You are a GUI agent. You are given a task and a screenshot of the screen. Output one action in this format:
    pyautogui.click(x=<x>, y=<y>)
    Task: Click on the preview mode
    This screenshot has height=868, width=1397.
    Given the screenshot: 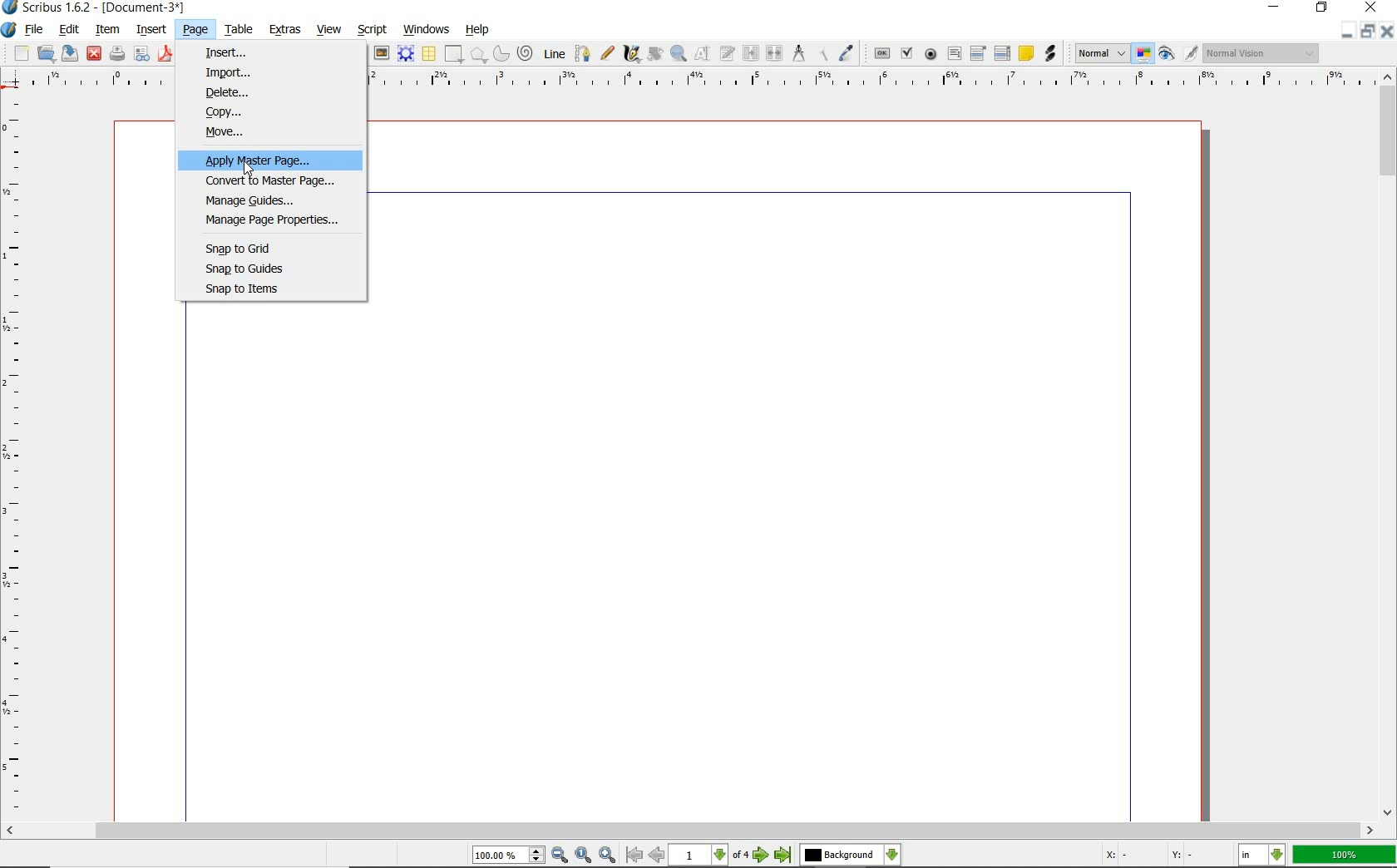 What is the action you would take?
    pyautogui.click(x=1168, y=53)
    